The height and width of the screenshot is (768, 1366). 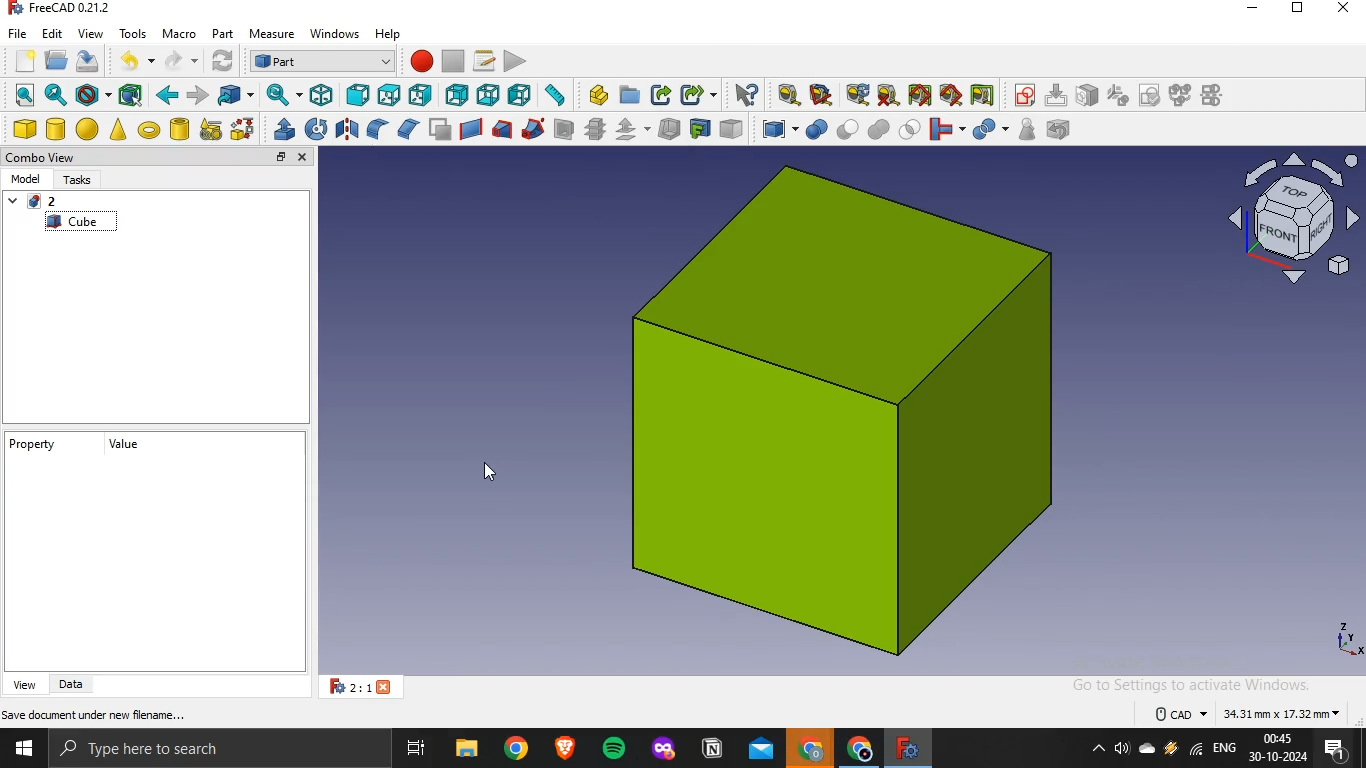 What do you see at coordinates (629, 96) in the screenshot?
I see `create folder` at bounding box center [629, 96].